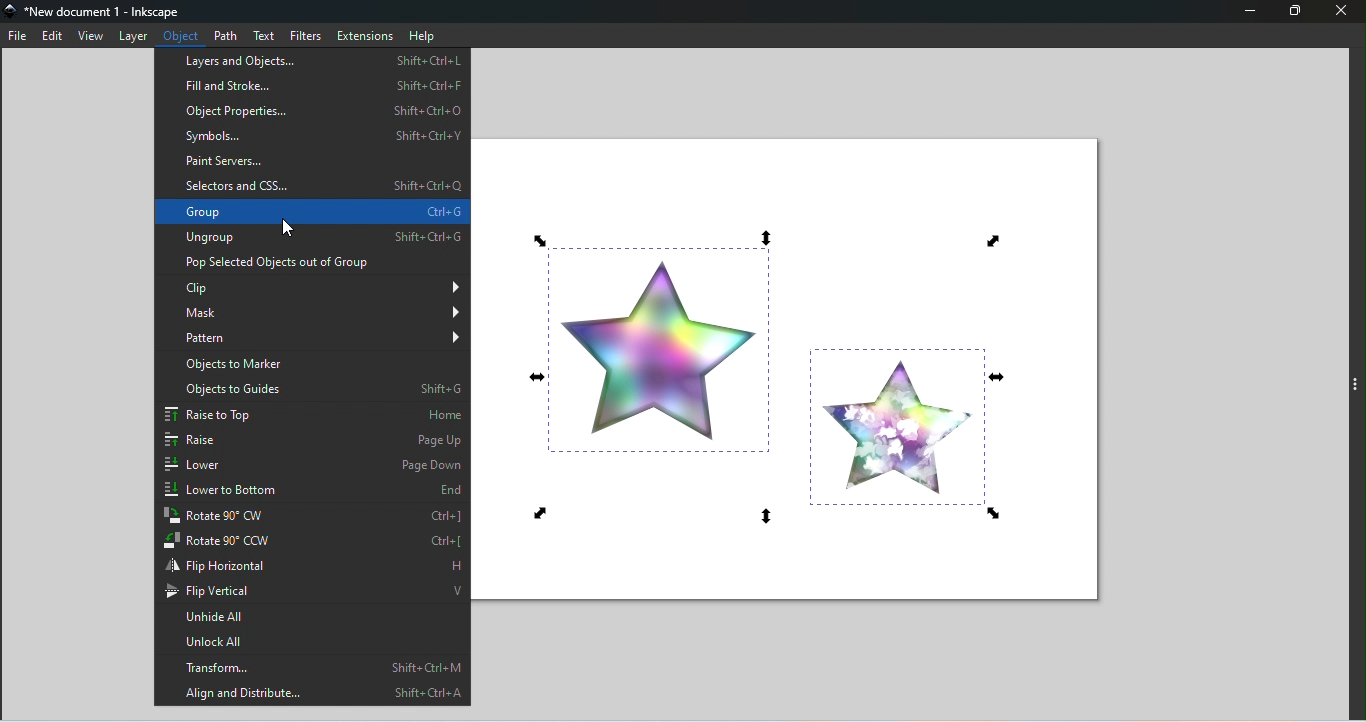 The width and height of the screenshot is (1366, 722). I want to click on Flip vertical, so click(316, 589).